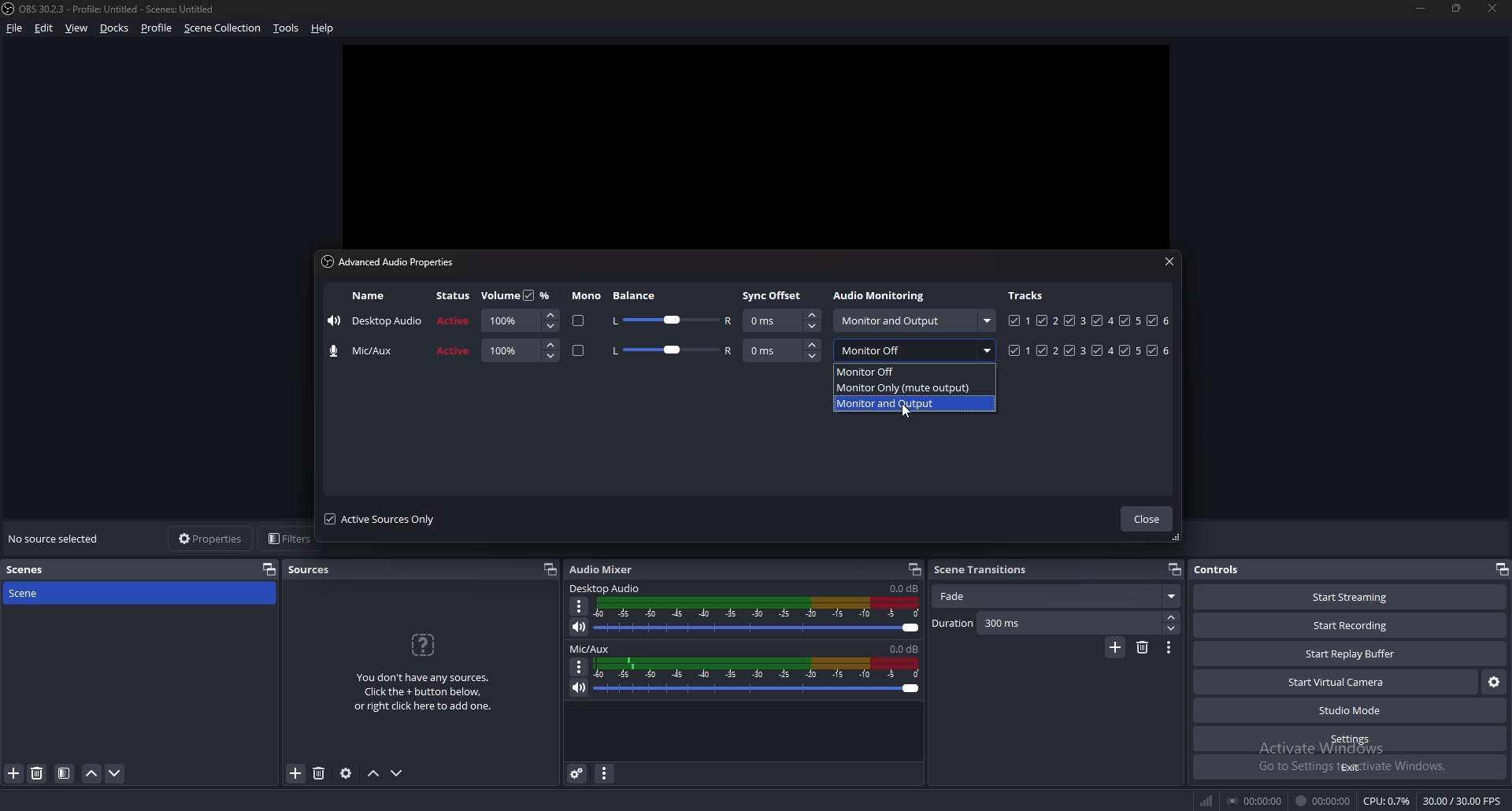 The height and width of the screenshot is (811, 1512). What do you see at coordinates (376, 773) in the screenshot?
I see `move source up` at bounding box center [376, 773].